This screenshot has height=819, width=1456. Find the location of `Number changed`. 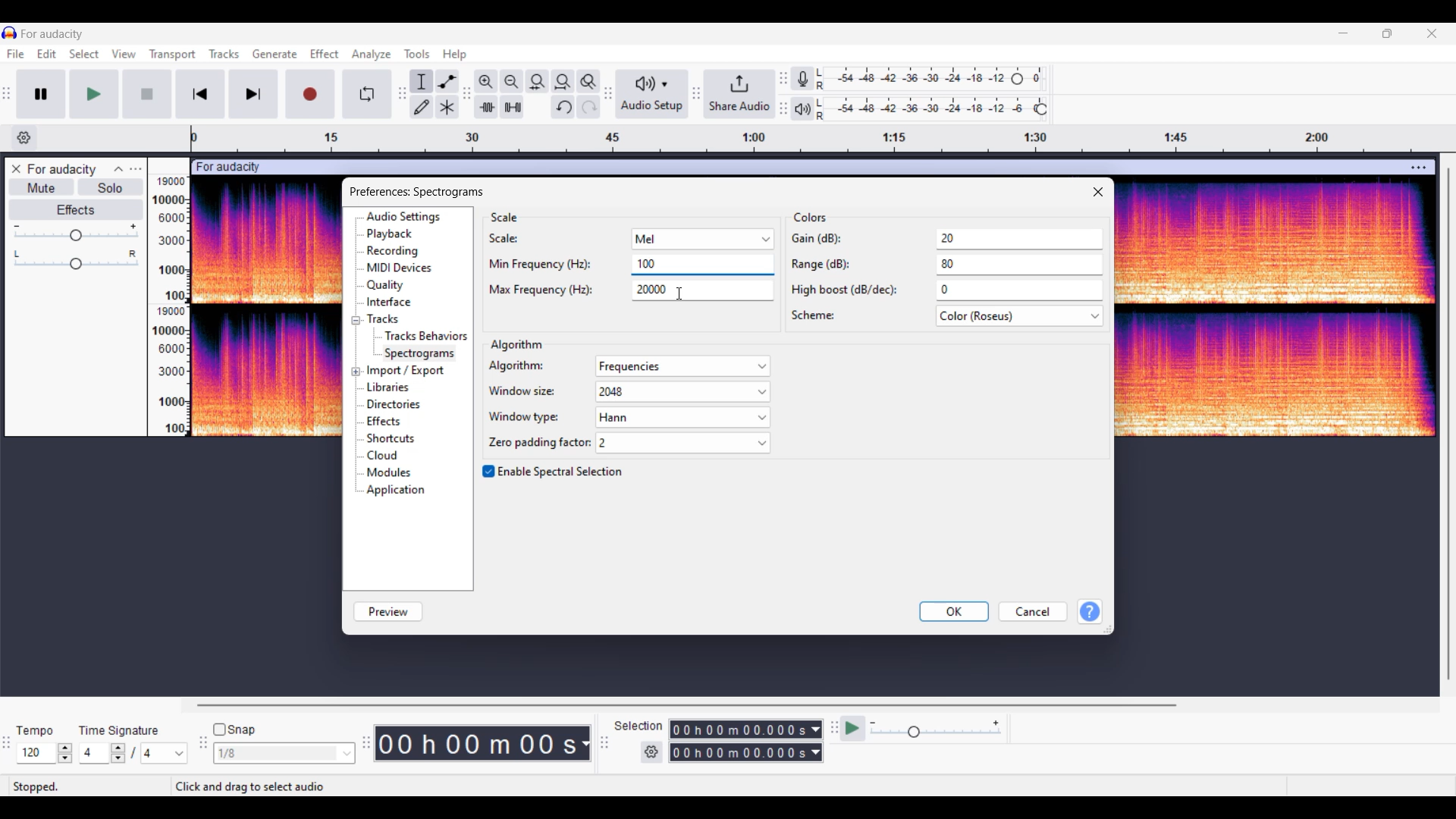

Number changed is located at coordinates (647, 263).